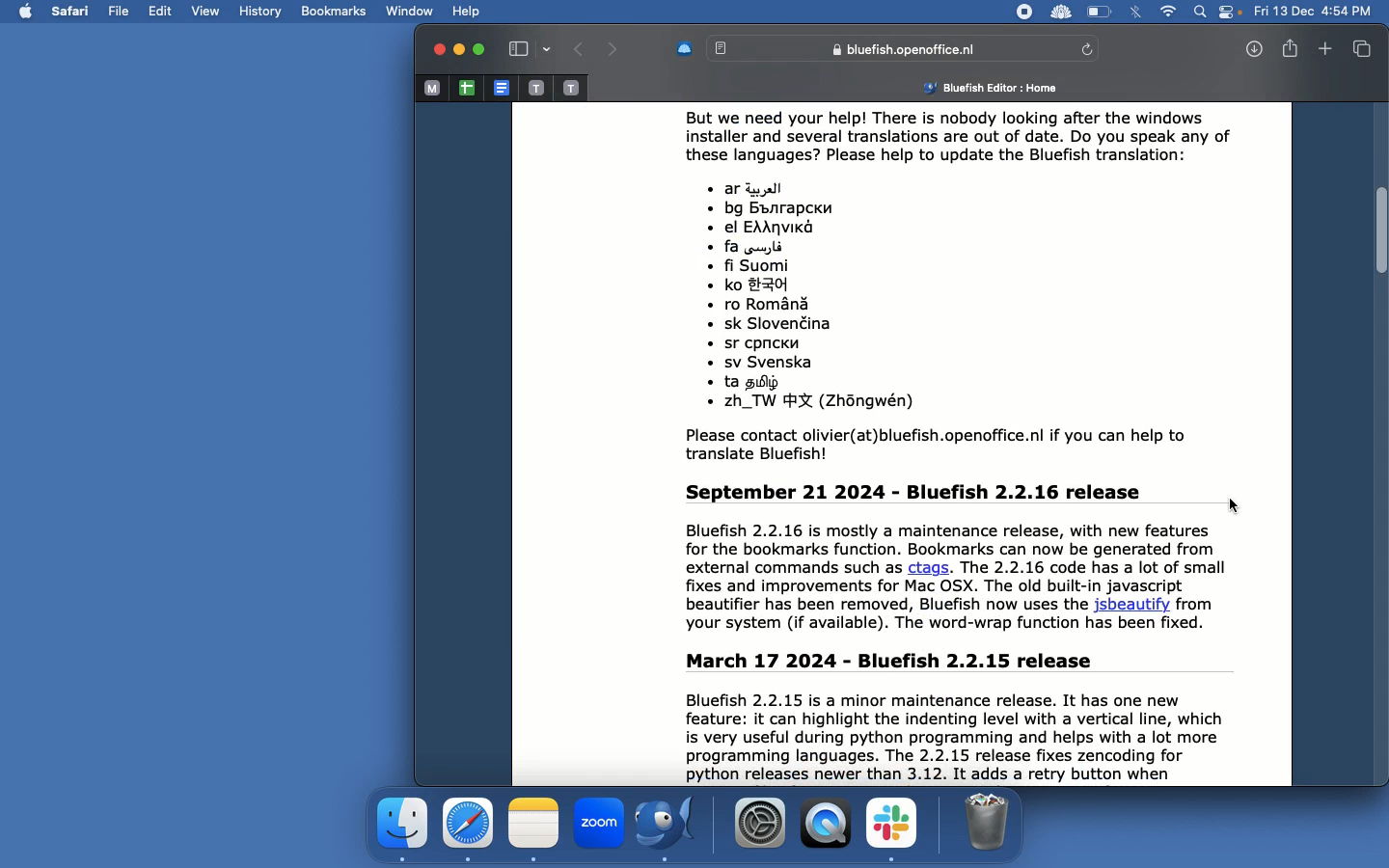 Image resolution: width=1389 pixels, height=868 pixels. Describe the element at coordinates (457, 50) in the screenshot. I see `Minimize` at that location.